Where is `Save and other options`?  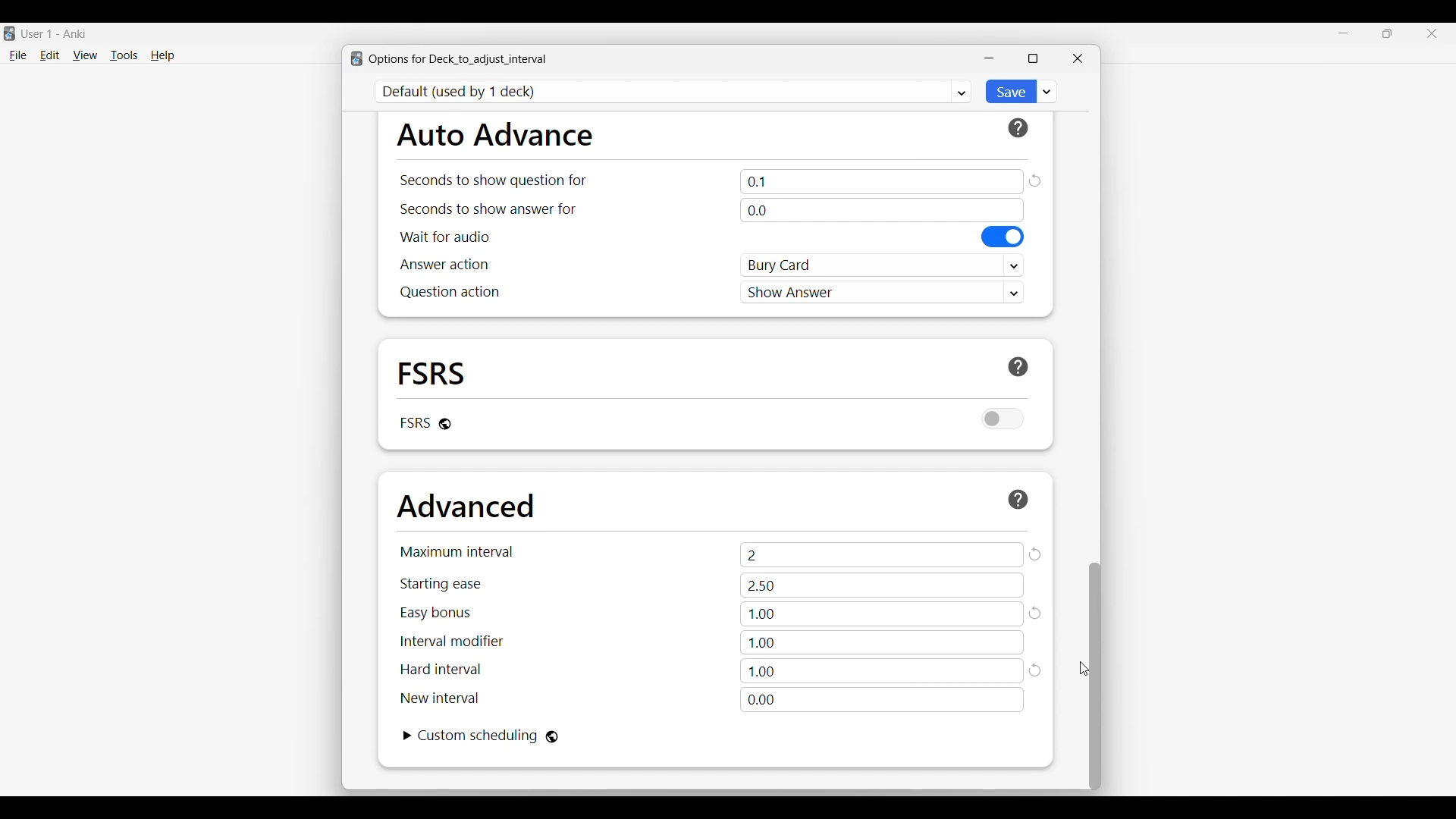
Save and other options is located at coordinates (1047, 91).